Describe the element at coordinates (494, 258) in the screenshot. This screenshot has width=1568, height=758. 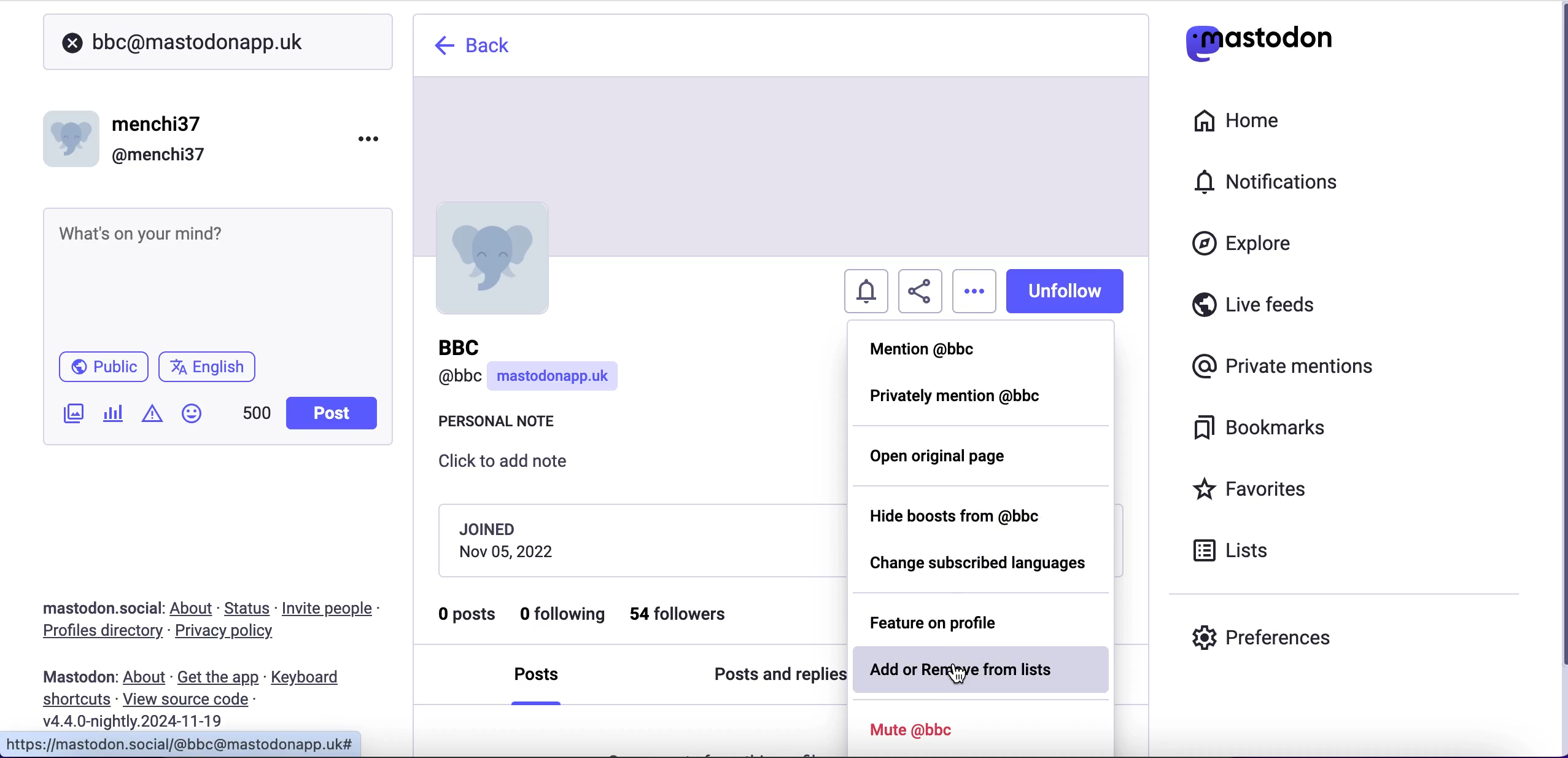
I see `profile picture` at that location.